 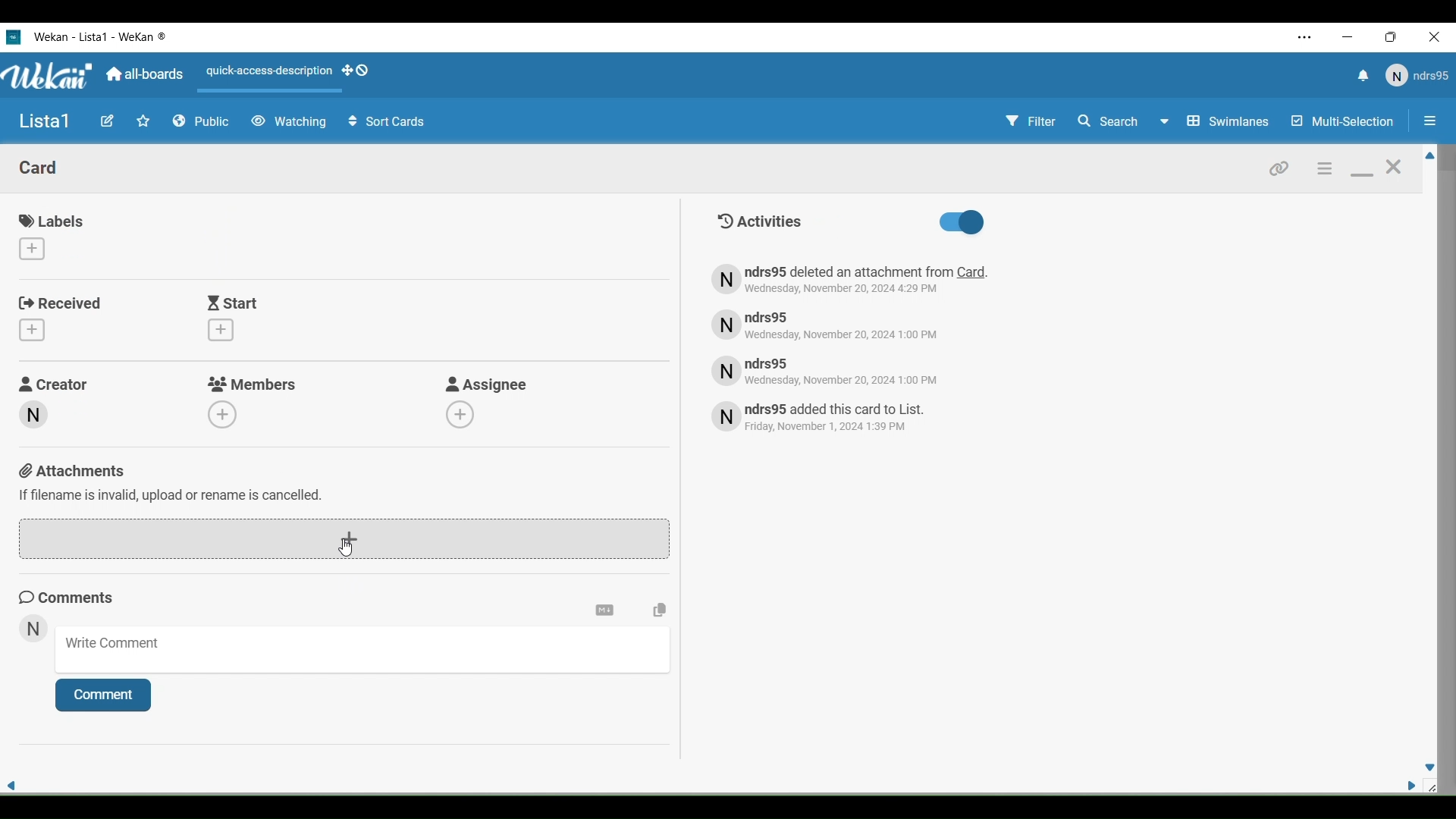 I want to click on Wekan logo, so click(x=13, y=36).